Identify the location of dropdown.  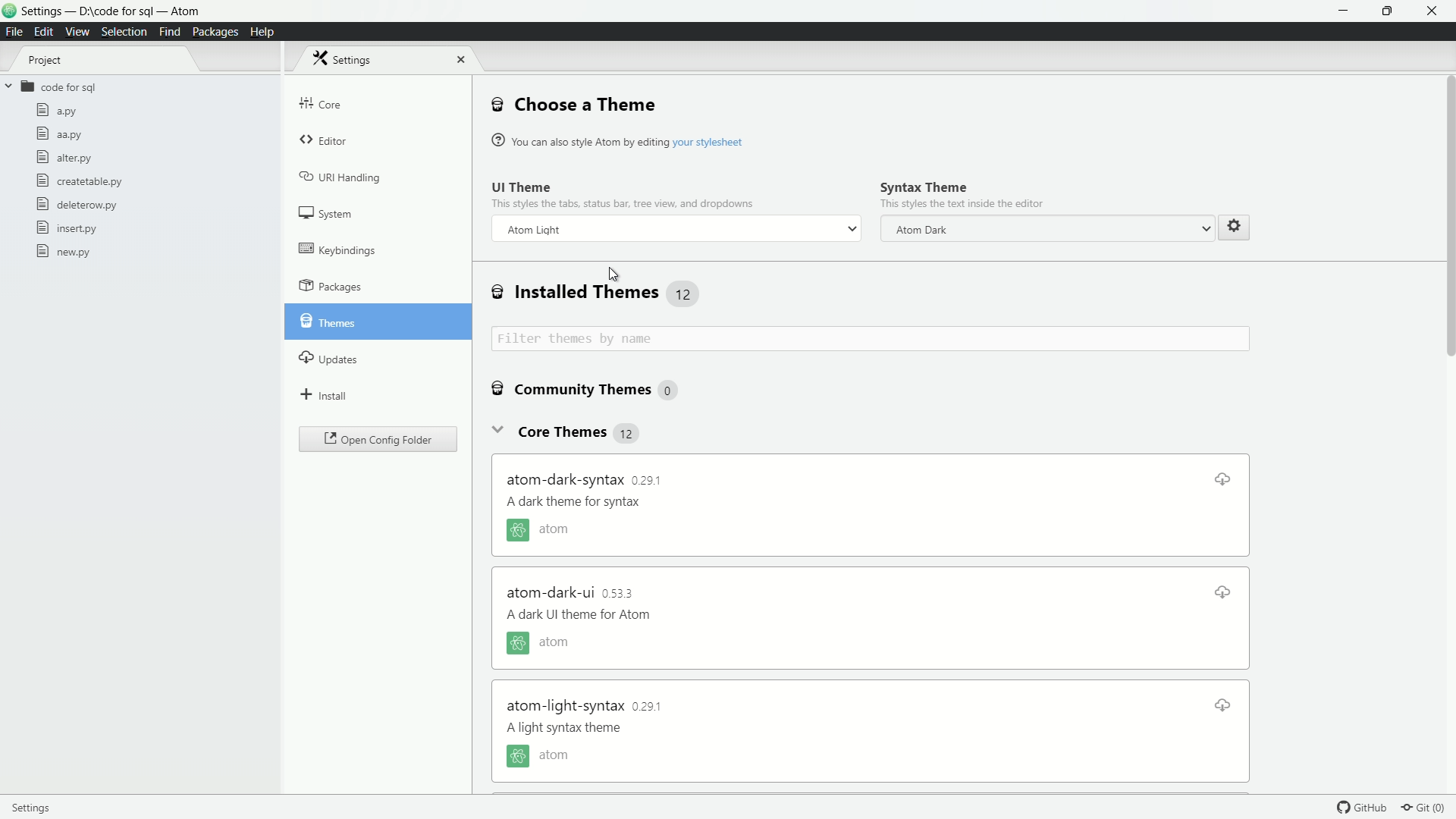
(852, 231).